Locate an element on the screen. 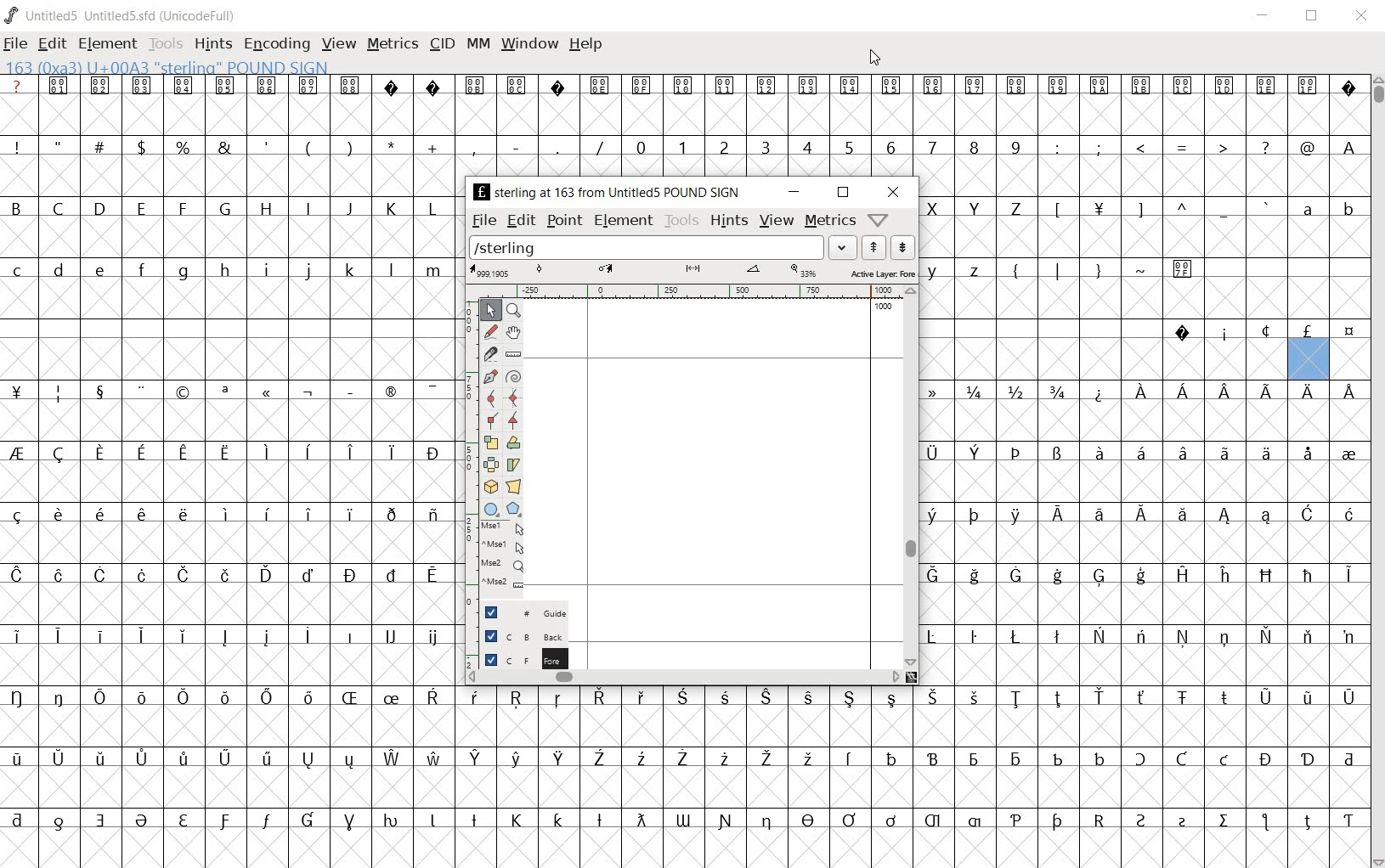 Image resolution: width=1385 pixels, height=868 pixels. Symbol is located at coordinates (1348, 819).